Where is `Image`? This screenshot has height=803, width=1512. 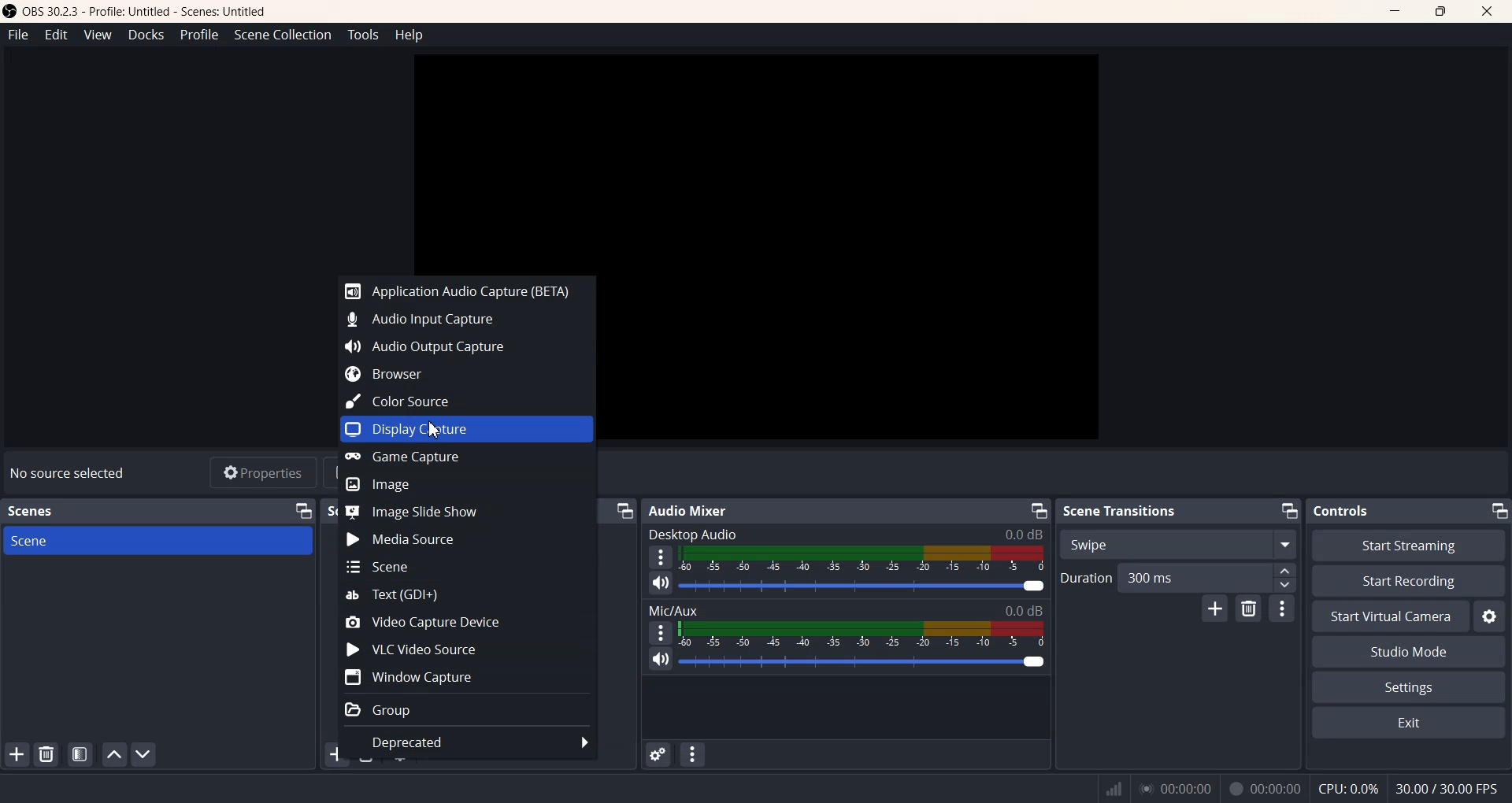
Image is located at coordinates (466, 483).